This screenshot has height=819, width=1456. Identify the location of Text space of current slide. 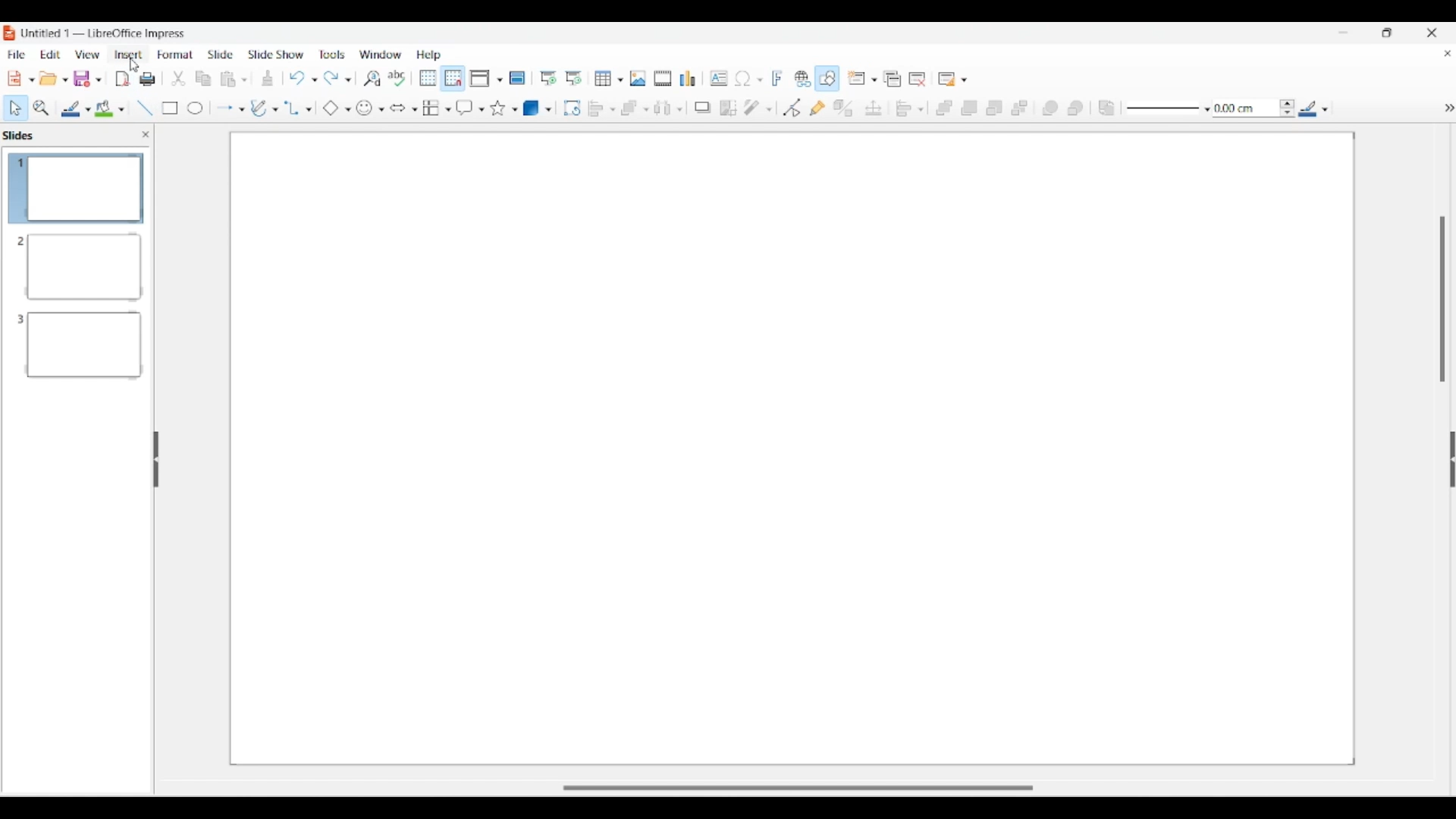
(792, 448).